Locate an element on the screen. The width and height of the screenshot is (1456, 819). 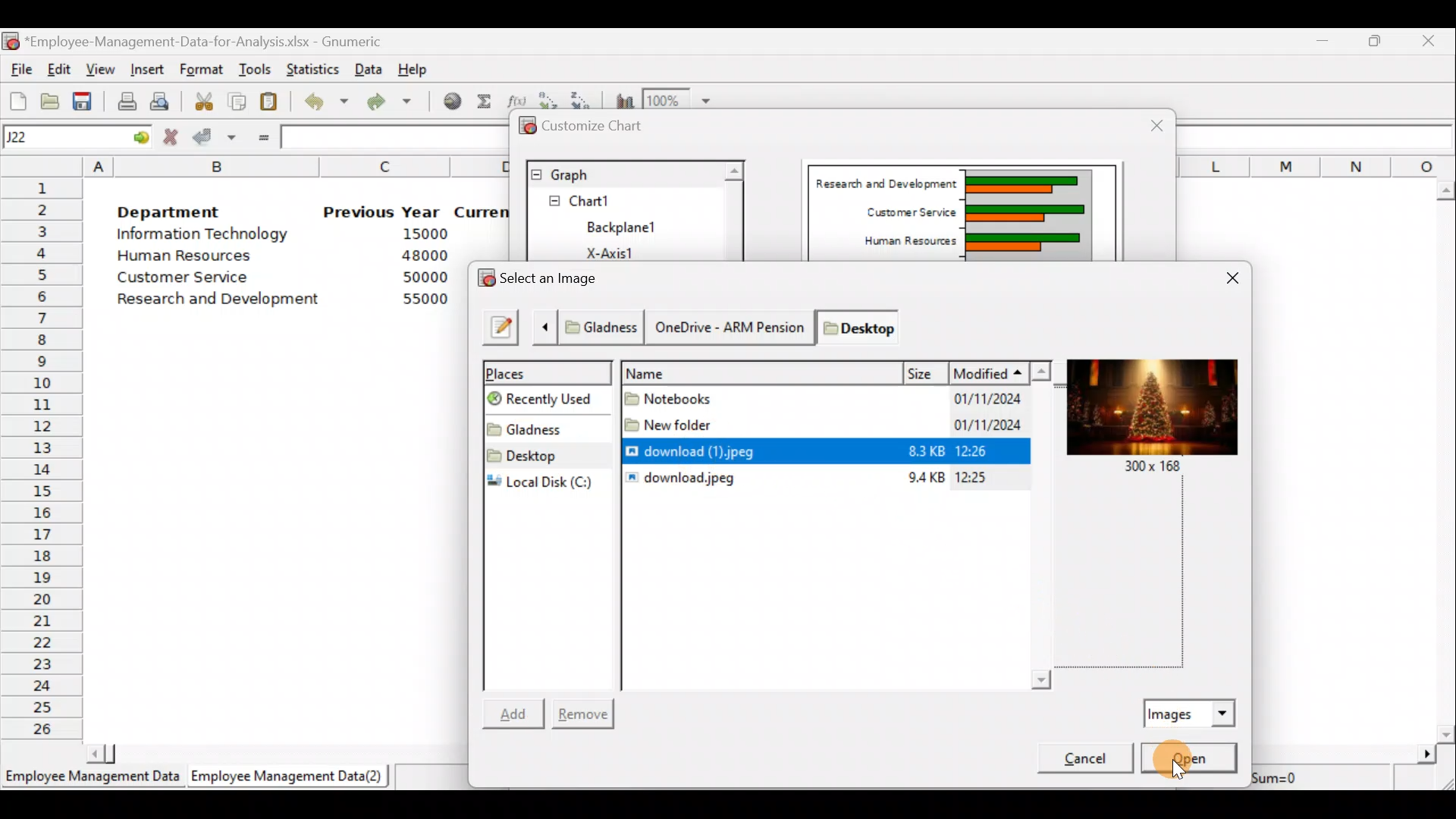
9.4KB is located at coordinates (923, 479).